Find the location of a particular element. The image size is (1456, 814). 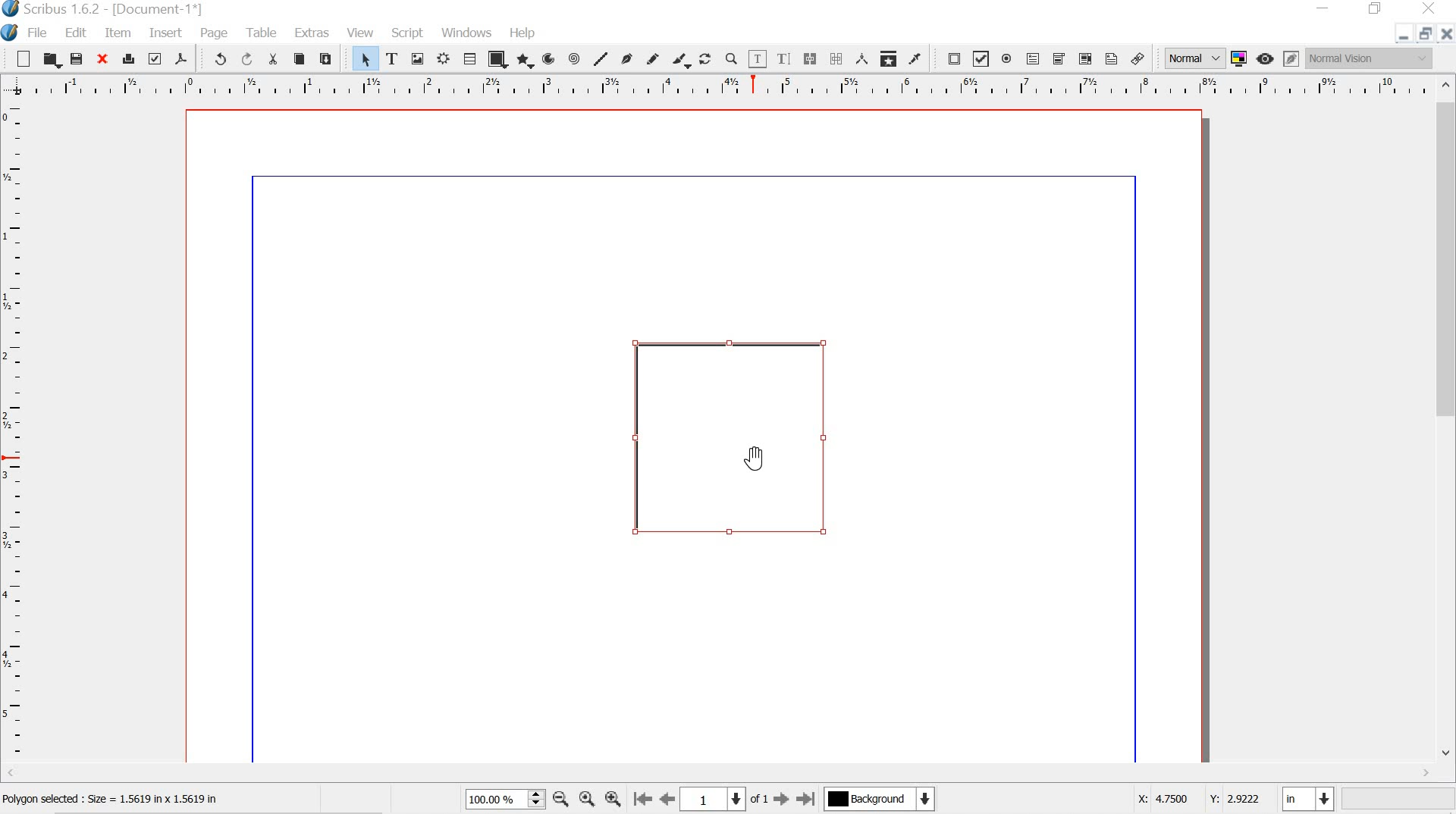

text annotation is located at coordinates (1110, 58).